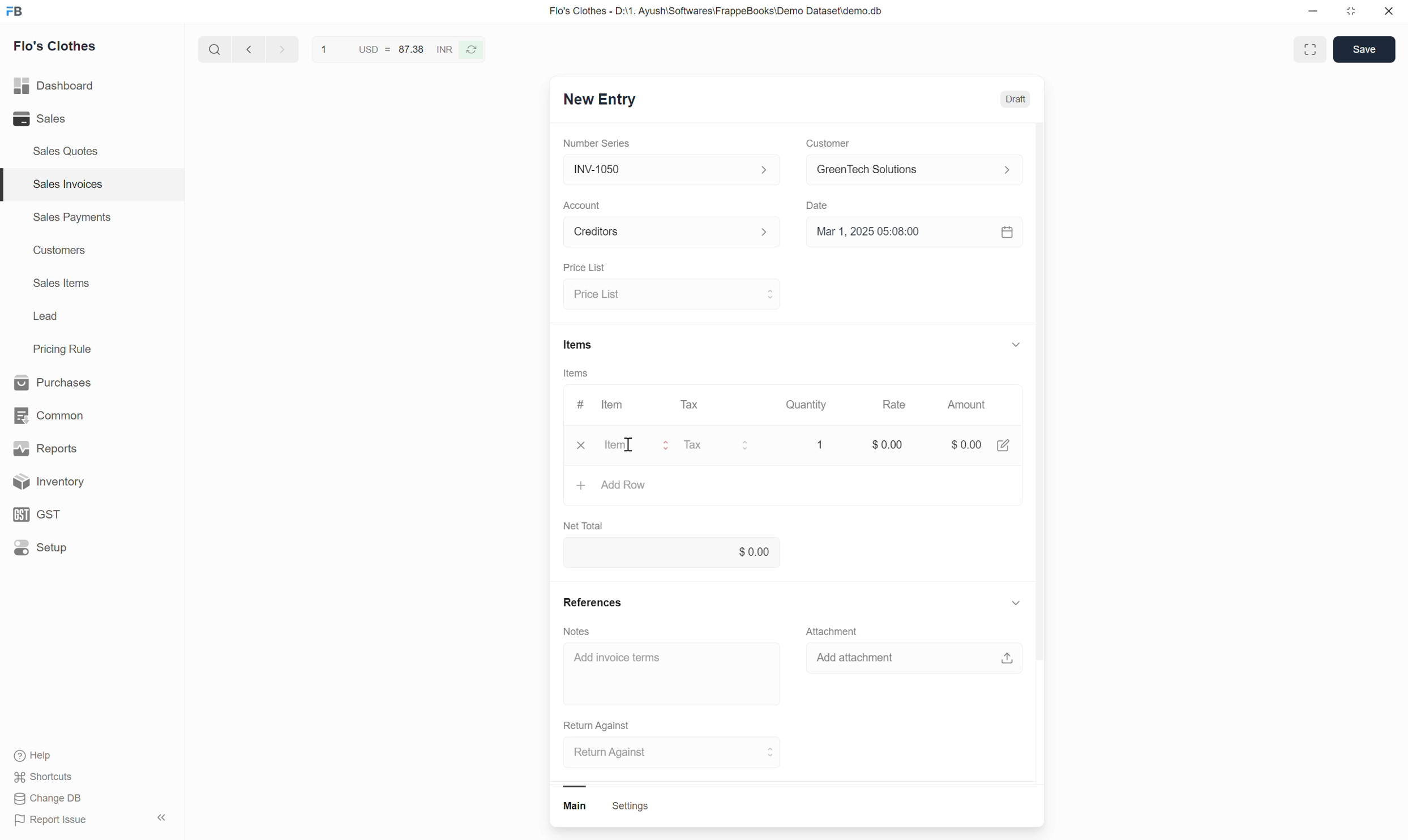  What do you see at coordinates (896, 406) in the screenshot?
I see `Rate` at bounding box center [896, 406].